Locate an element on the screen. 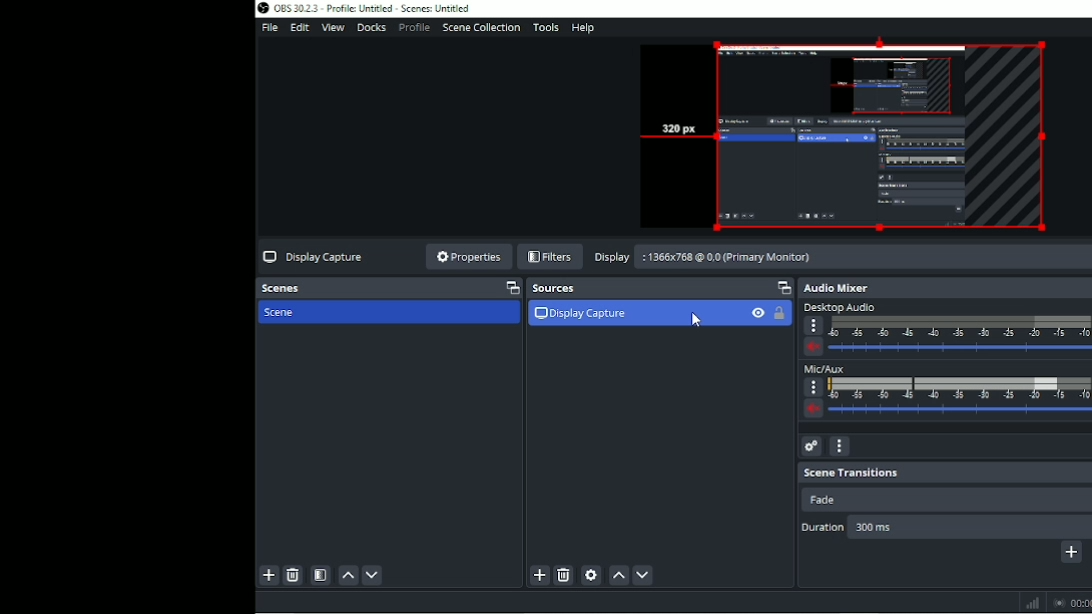 The image size is (1092, 614). Display capture is located at coordinates (314, 257).